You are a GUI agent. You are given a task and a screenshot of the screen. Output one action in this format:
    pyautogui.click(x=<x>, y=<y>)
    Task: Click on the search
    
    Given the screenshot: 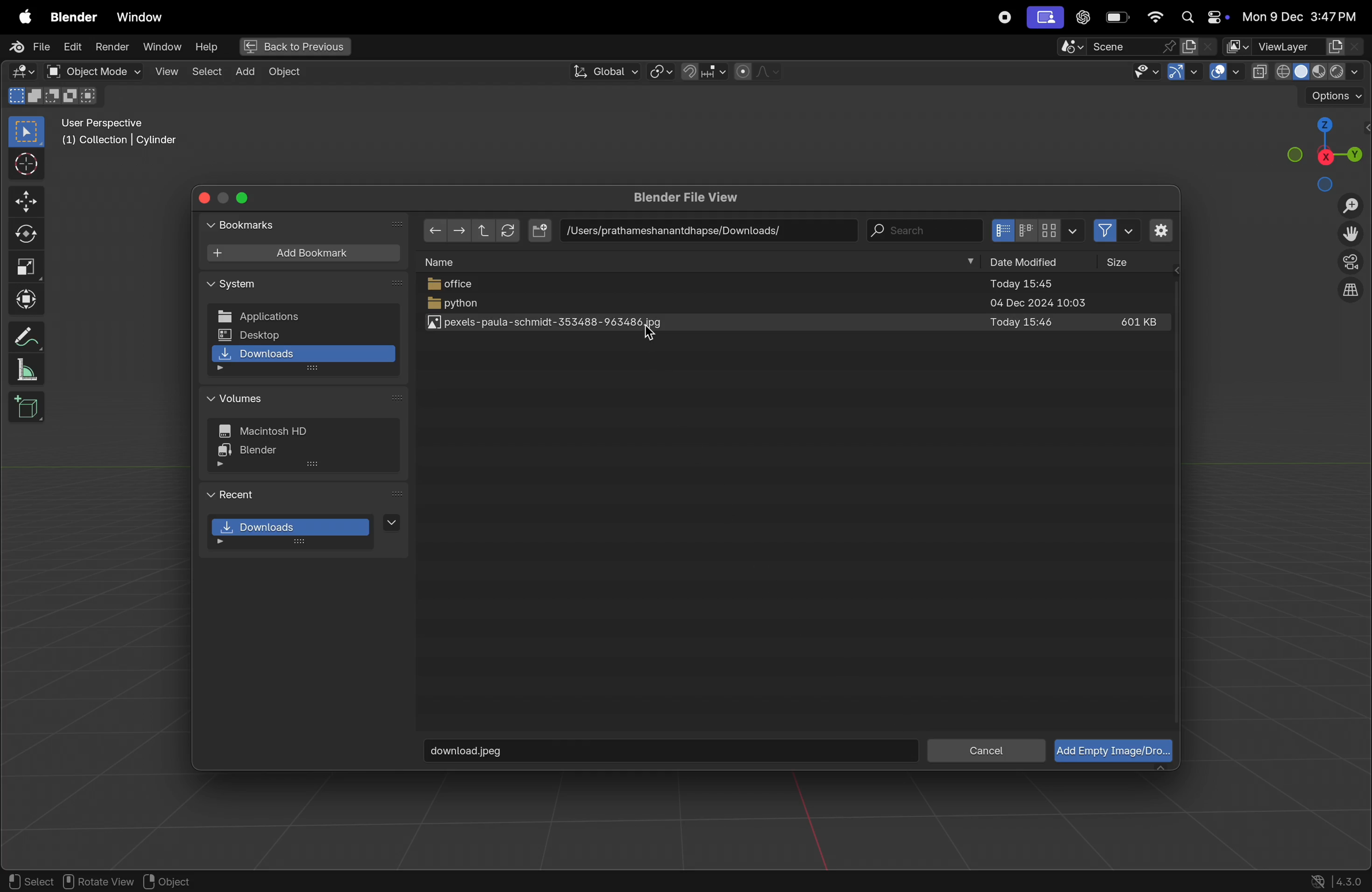 What is the action you would take?
    pyautogui.click(x=926, y=229)
    